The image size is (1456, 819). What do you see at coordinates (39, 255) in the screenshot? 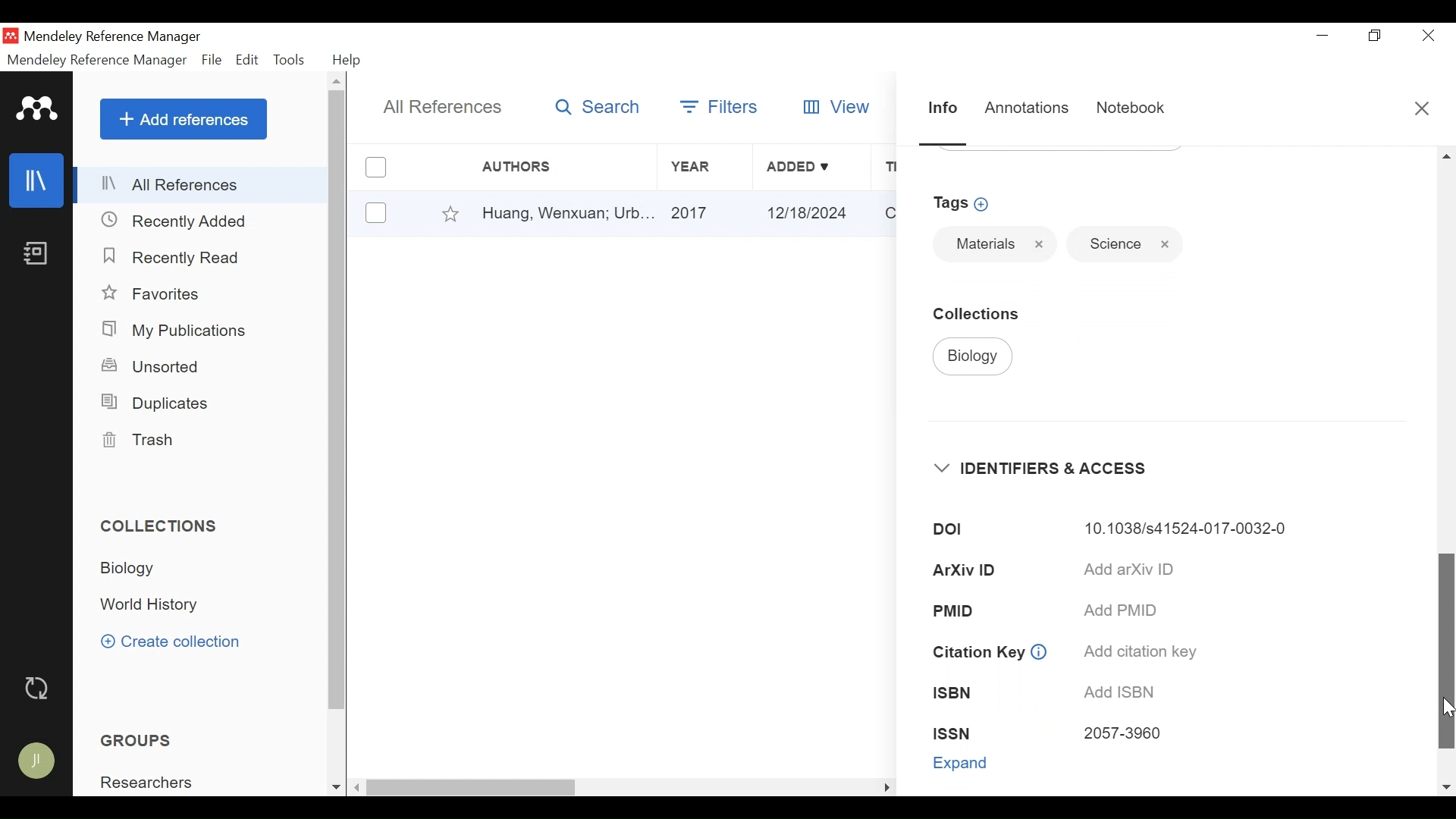
I see `Notebook` at bounding box center [39, 255].